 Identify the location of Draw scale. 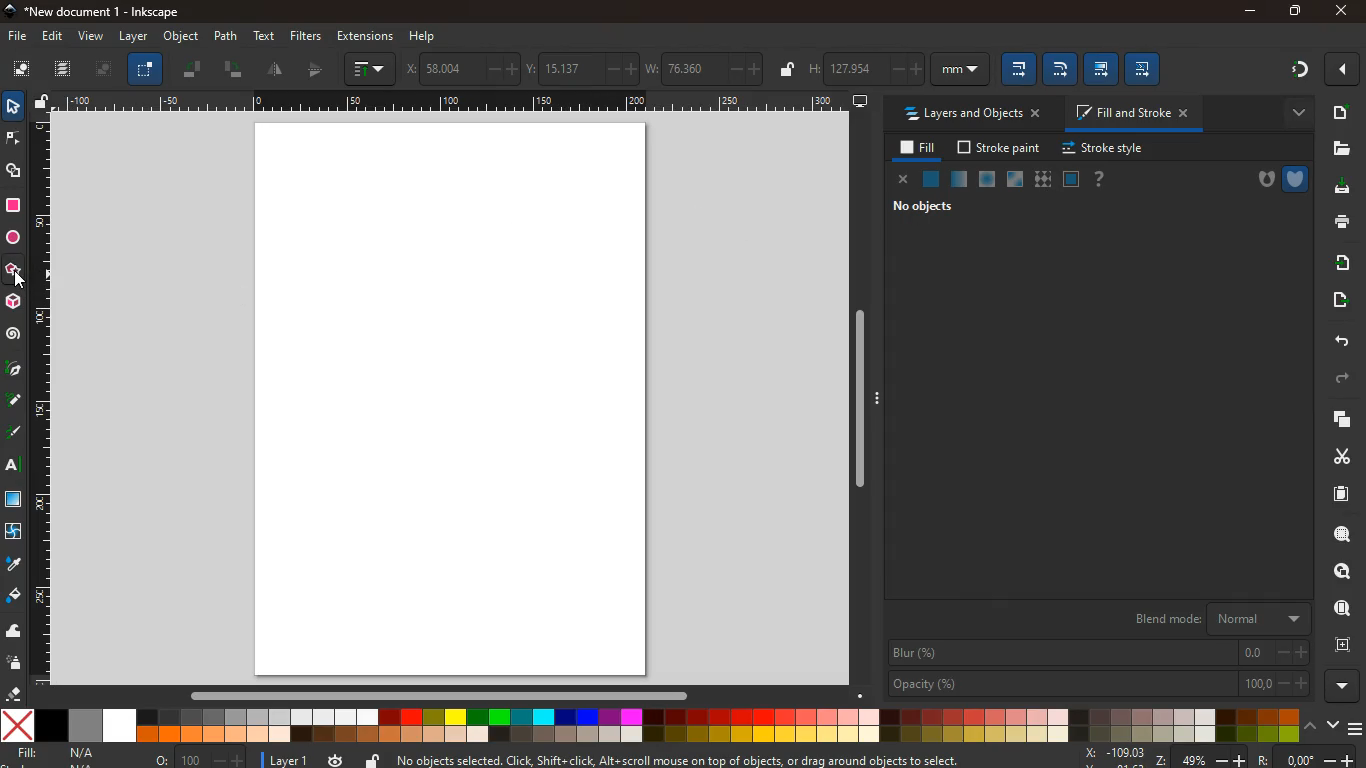
(50, 404).